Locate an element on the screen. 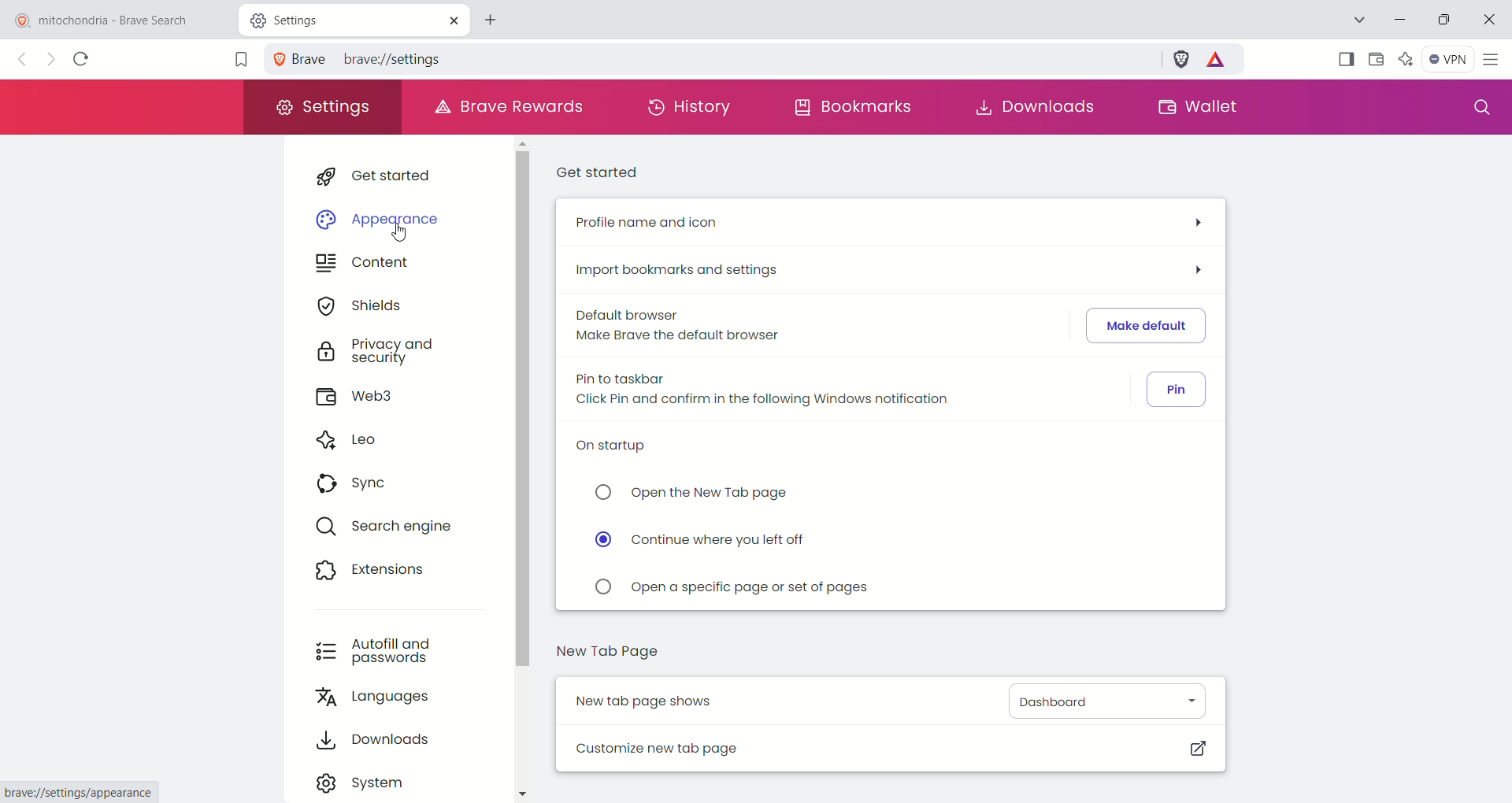 The width and height of the screenshot is (1512, 803). show sidebar is located at coordinates (1344, 57).